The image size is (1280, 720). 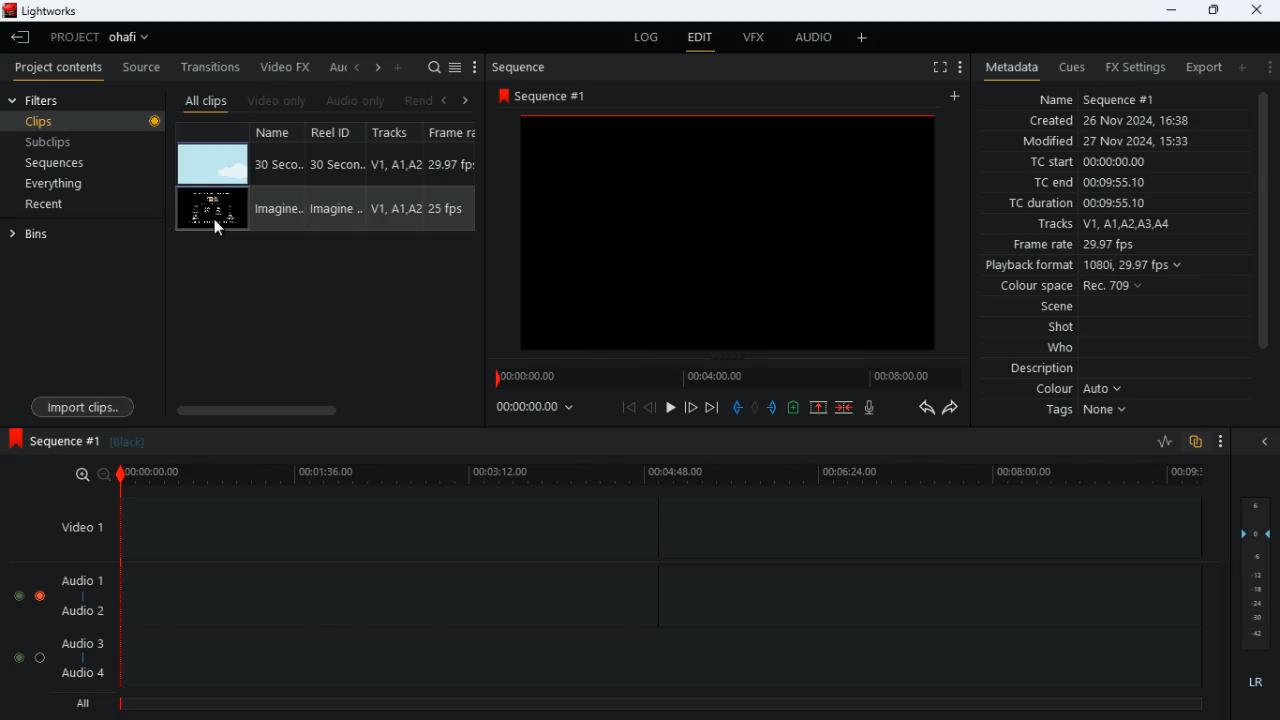 I want to click on shot, so click(x=1061, y=328).